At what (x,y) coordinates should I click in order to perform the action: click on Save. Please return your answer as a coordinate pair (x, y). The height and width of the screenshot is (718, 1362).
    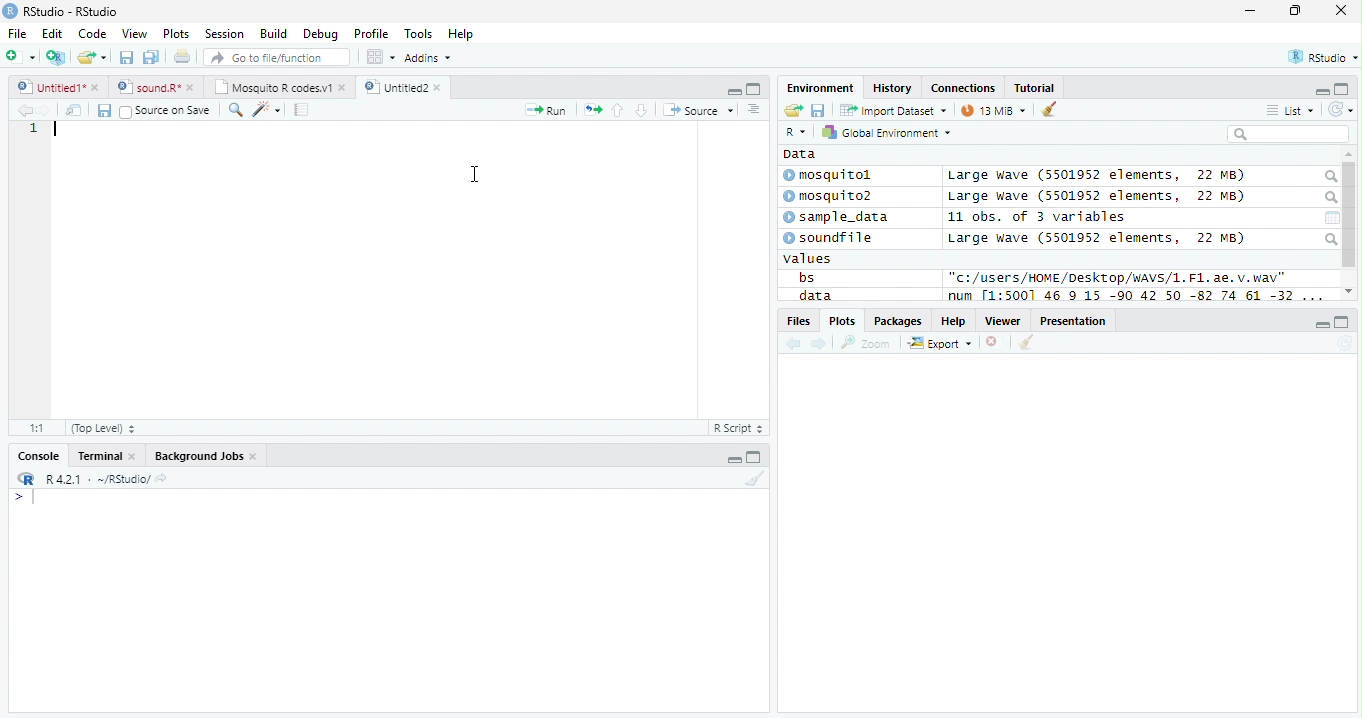
    Looking at the image, I should click on (103, 111).